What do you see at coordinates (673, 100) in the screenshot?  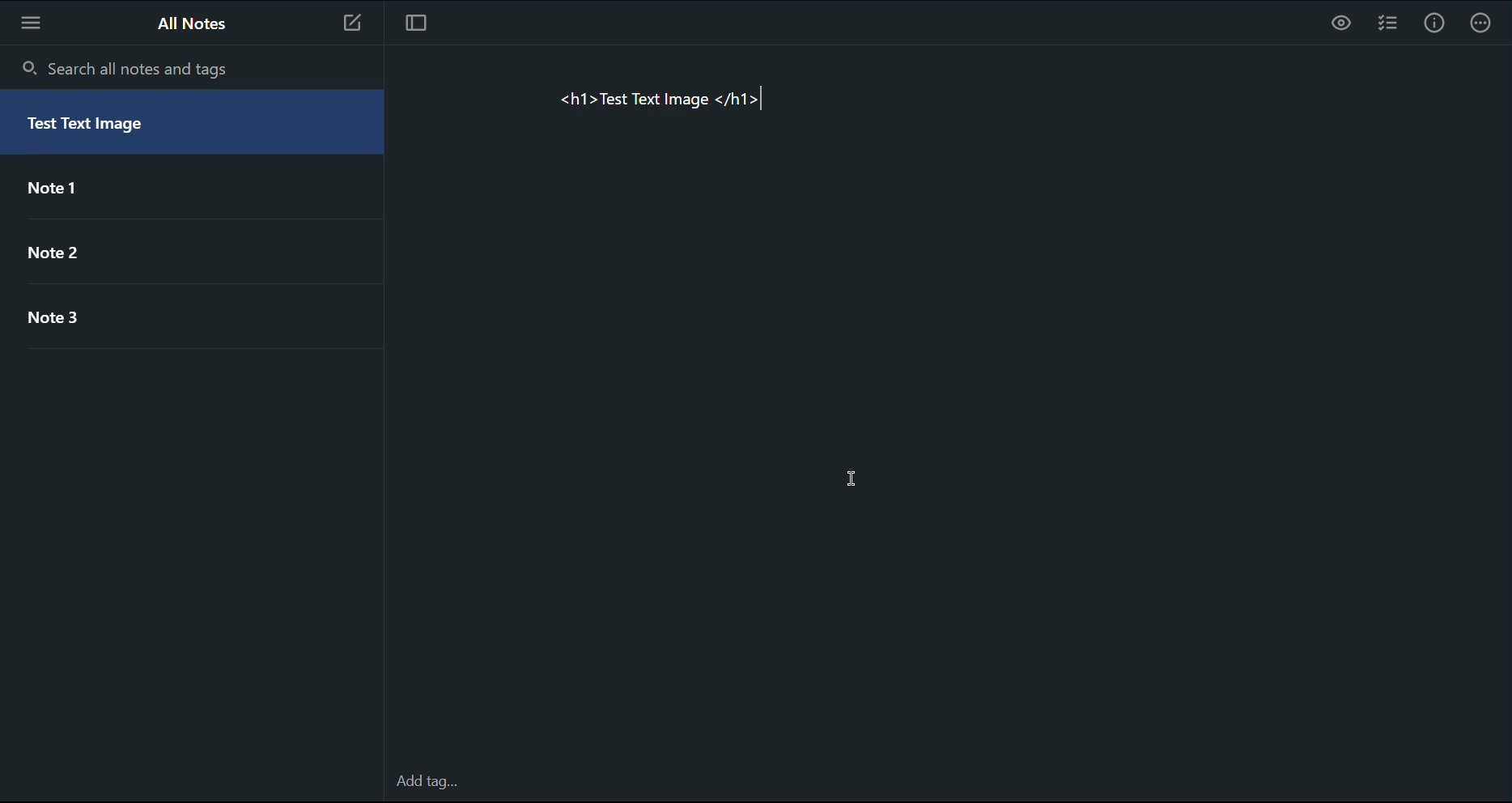 I see `<h1>Test Text Image </h1>|` at bounding box center [673, 100].